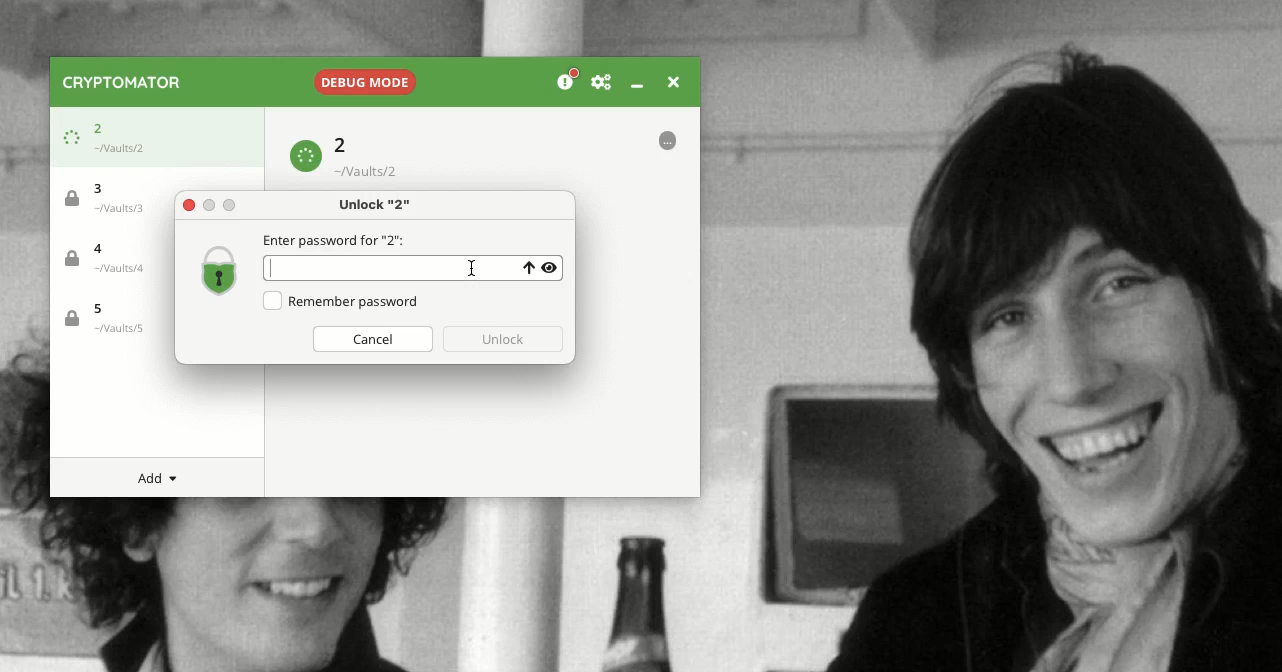  What do you see at coordinates (72, 137) in the screenshot?
I see `Loading` at bounding box center [72, 137].